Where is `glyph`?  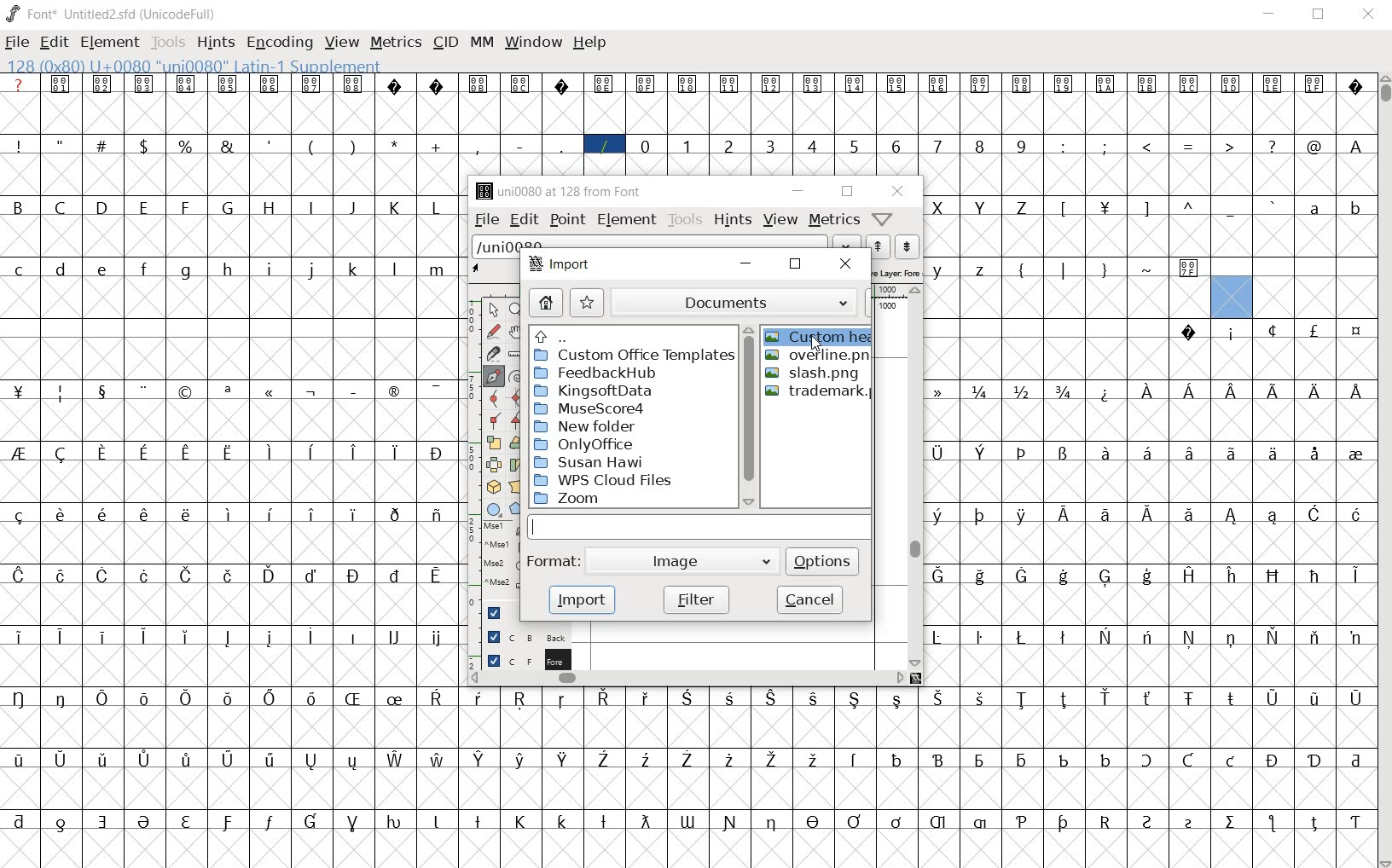
glyph is located at coordinates (1064, 761).